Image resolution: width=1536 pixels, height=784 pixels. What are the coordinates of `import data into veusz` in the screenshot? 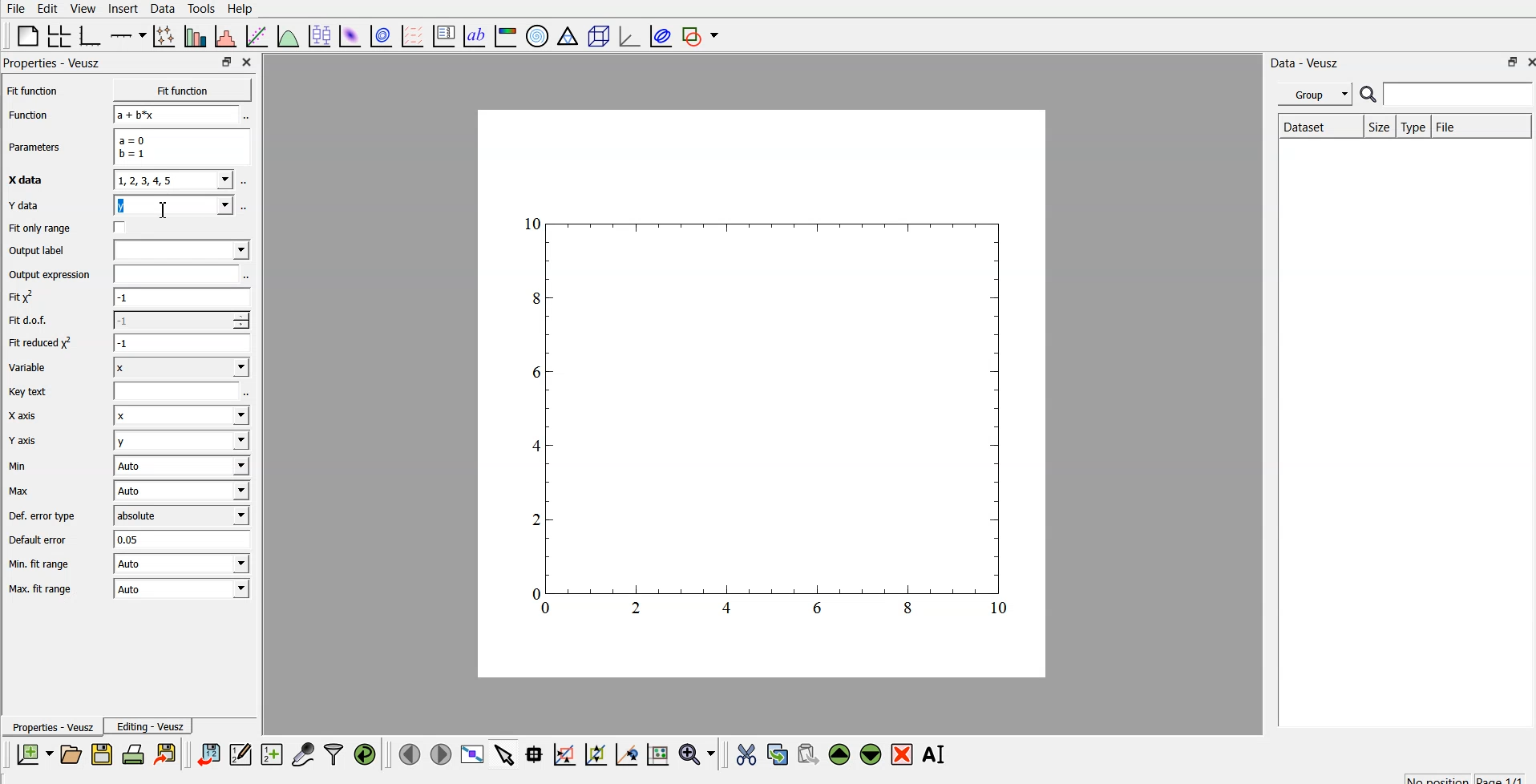 It's located at (209, 755).